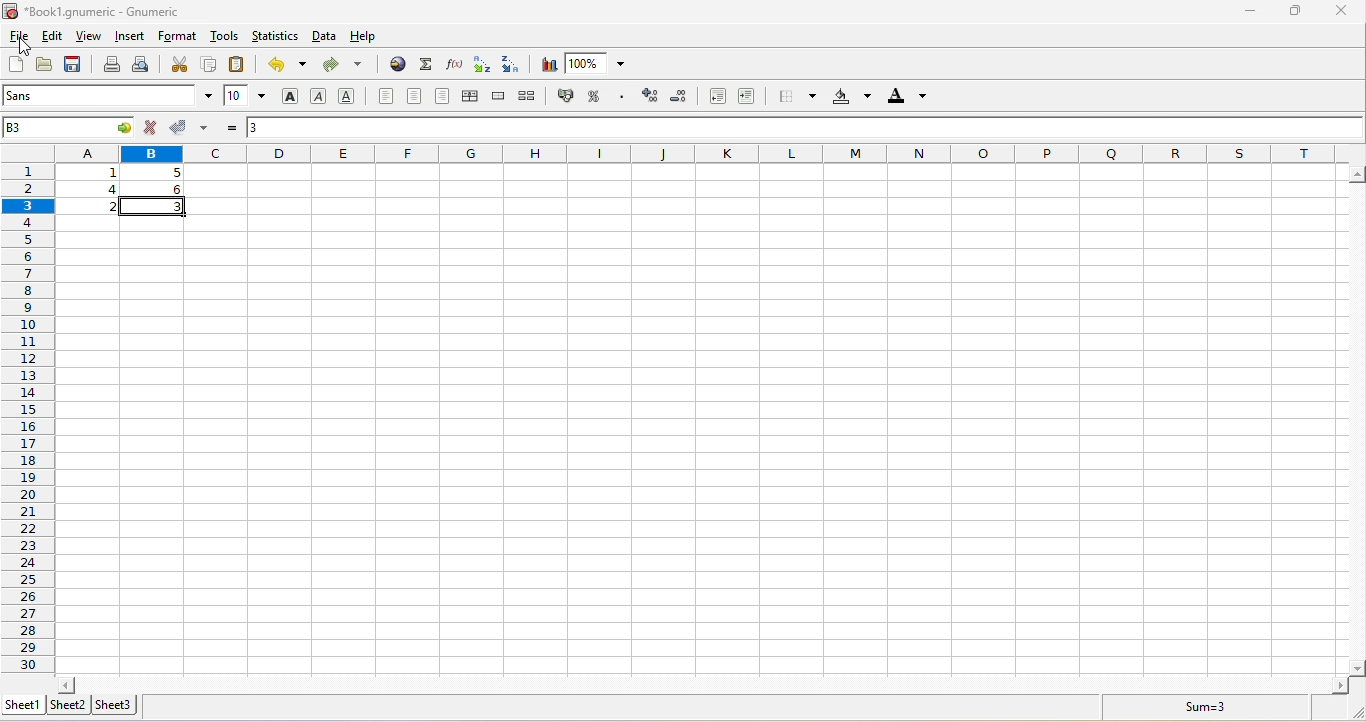  What do you see at coordinates (595, 95) in the screenshot?
I see `percentage` at bounding box center [595, 95].